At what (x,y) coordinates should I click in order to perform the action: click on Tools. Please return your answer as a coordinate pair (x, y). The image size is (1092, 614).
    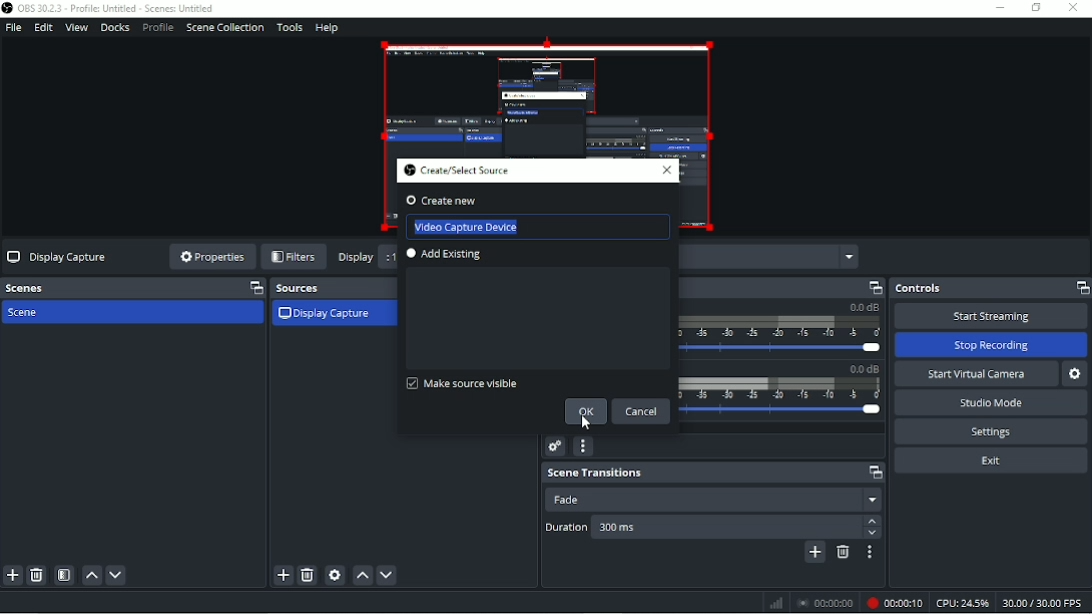
    Looking at the image, I should click on (289, 27).